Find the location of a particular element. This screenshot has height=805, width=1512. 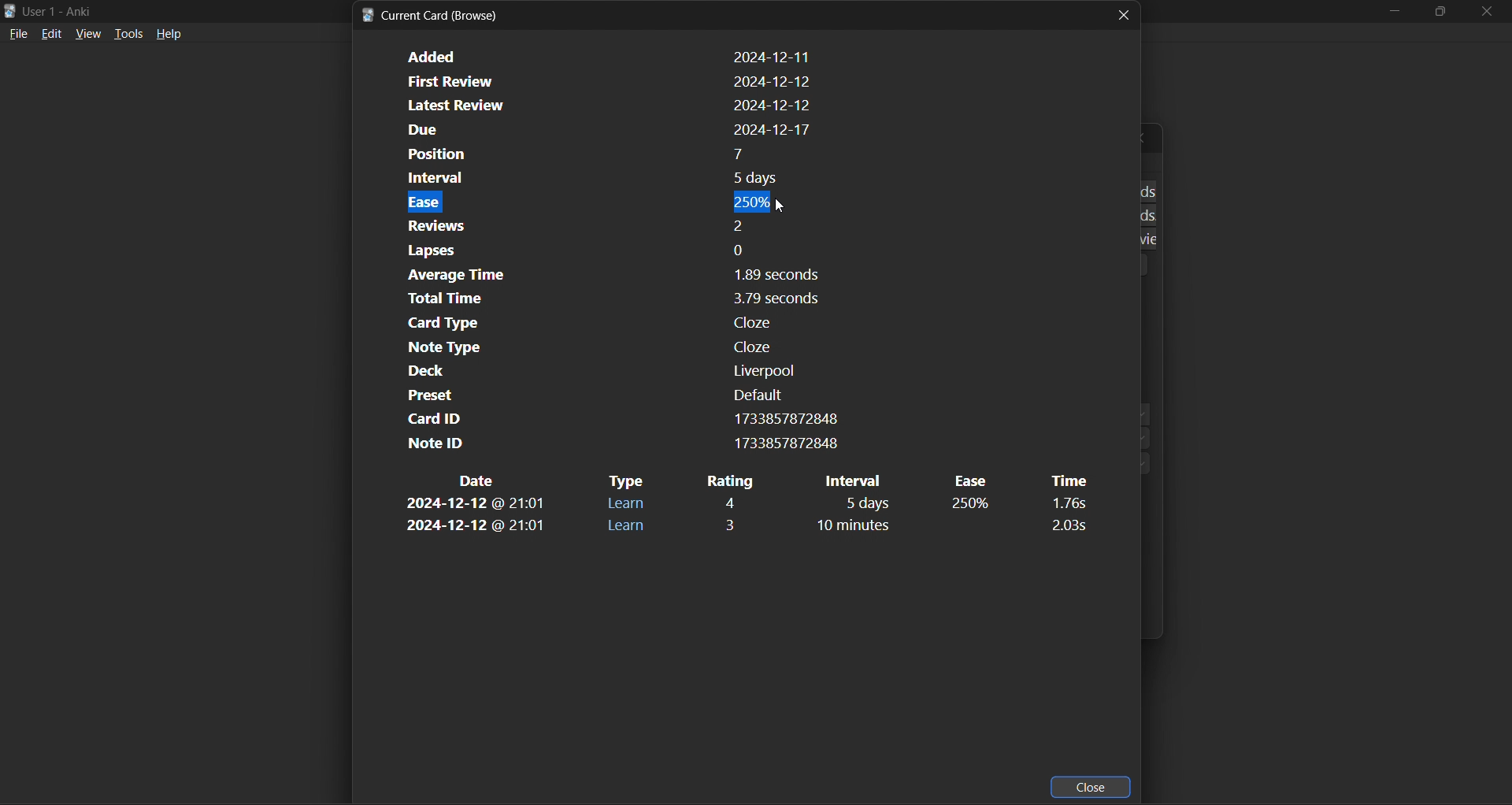

time is located at coordinates (1066, 480).